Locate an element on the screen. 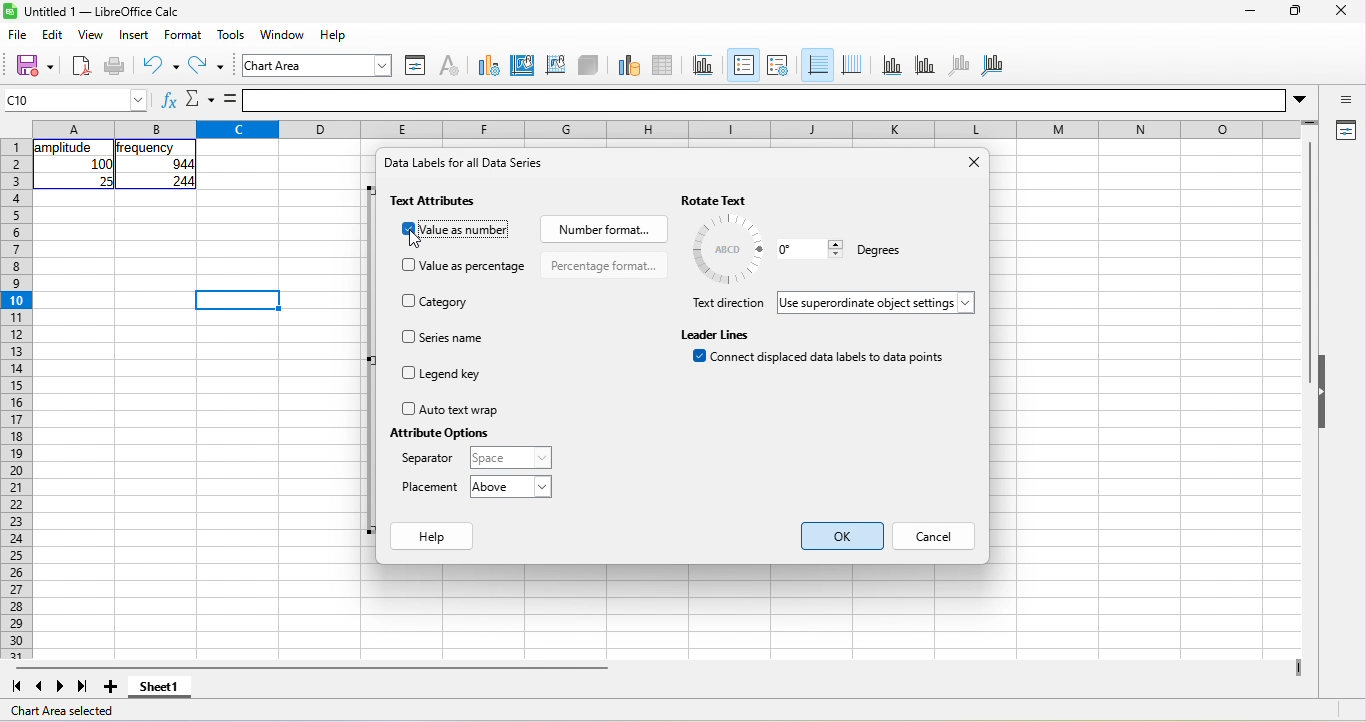  window is located at coordinates (286, 36).